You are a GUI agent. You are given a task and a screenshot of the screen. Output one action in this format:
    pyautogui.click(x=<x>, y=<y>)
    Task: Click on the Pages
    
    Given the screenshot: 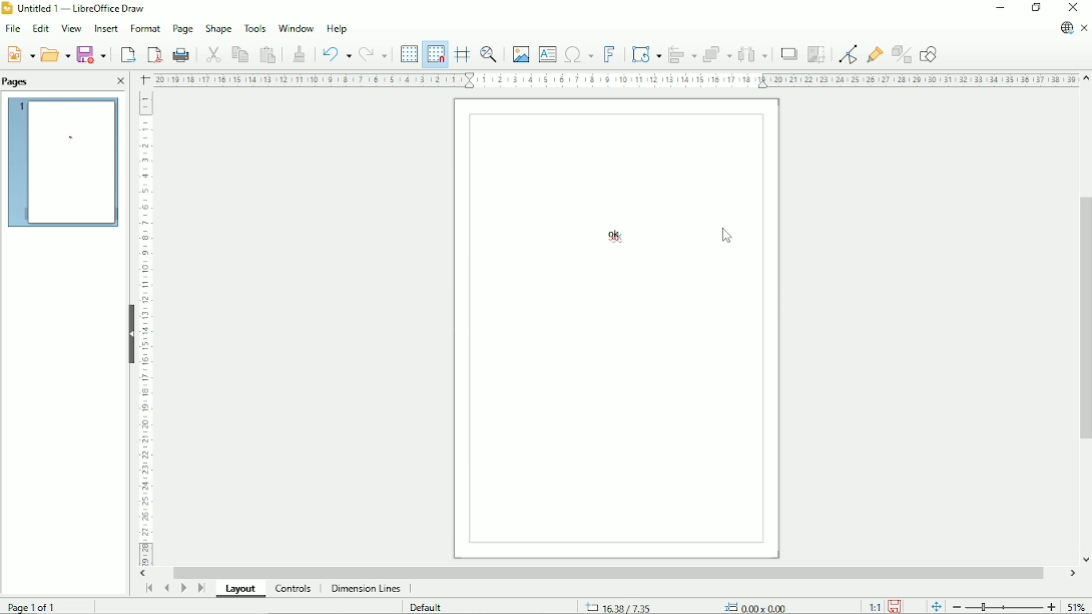 What is the action you would take?
    pyautogui.click(x=21, y=82)
    